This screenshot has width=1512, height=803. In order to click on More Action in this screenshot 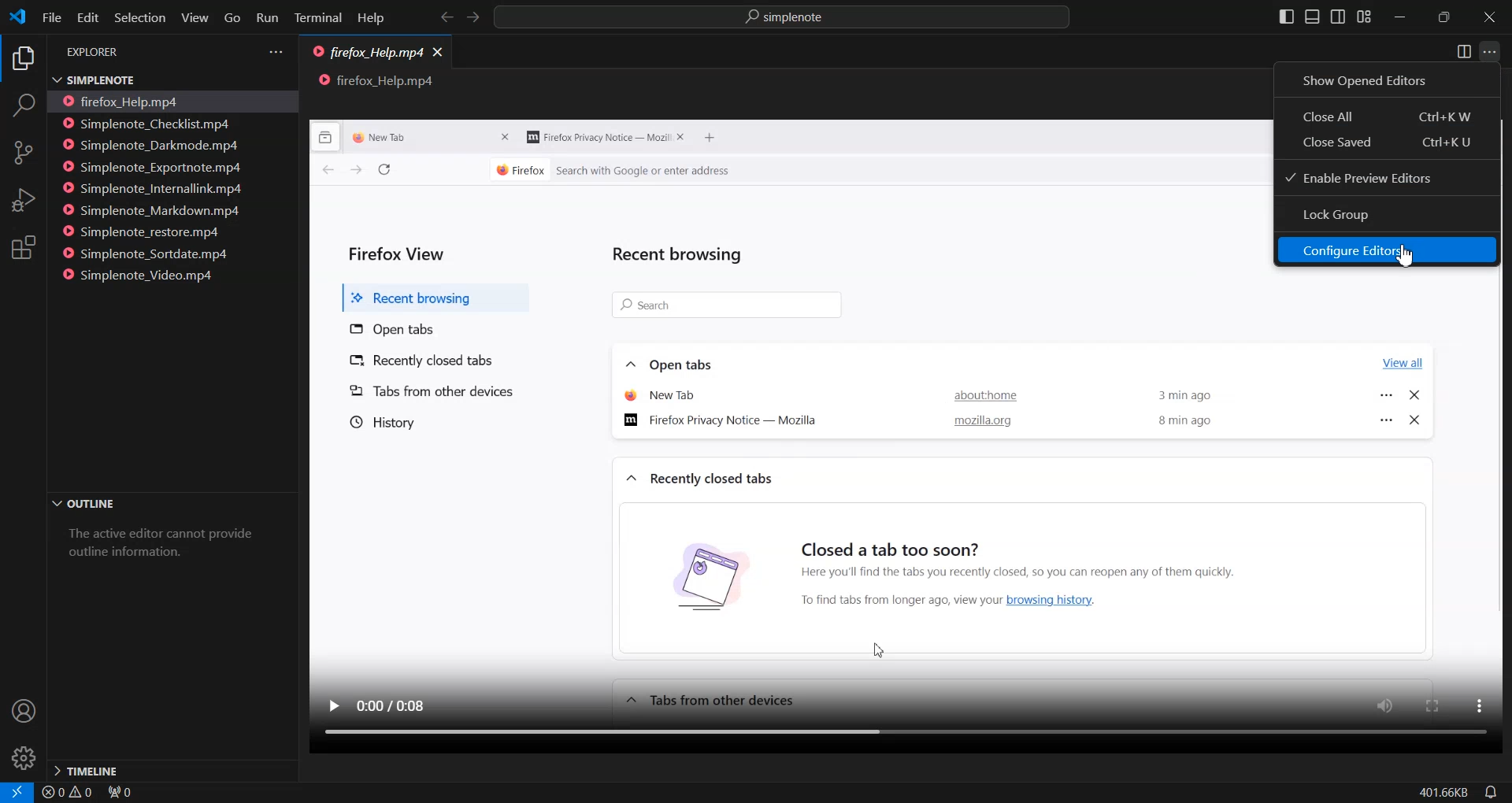, I will do `click(1489, 52)`.